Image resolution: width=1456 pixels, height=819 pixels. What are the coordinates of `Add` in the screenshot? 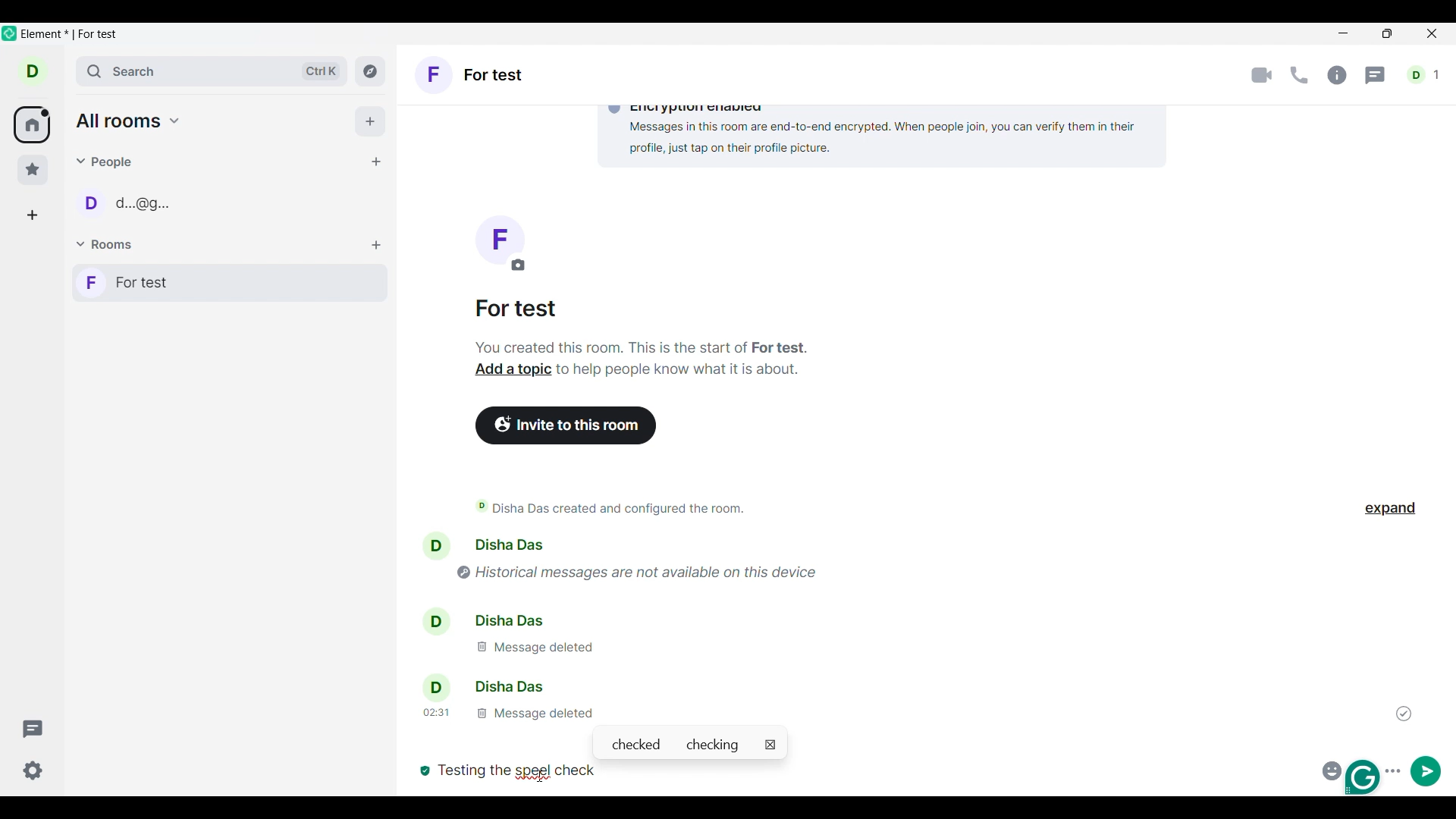 It's located at (370, 121).